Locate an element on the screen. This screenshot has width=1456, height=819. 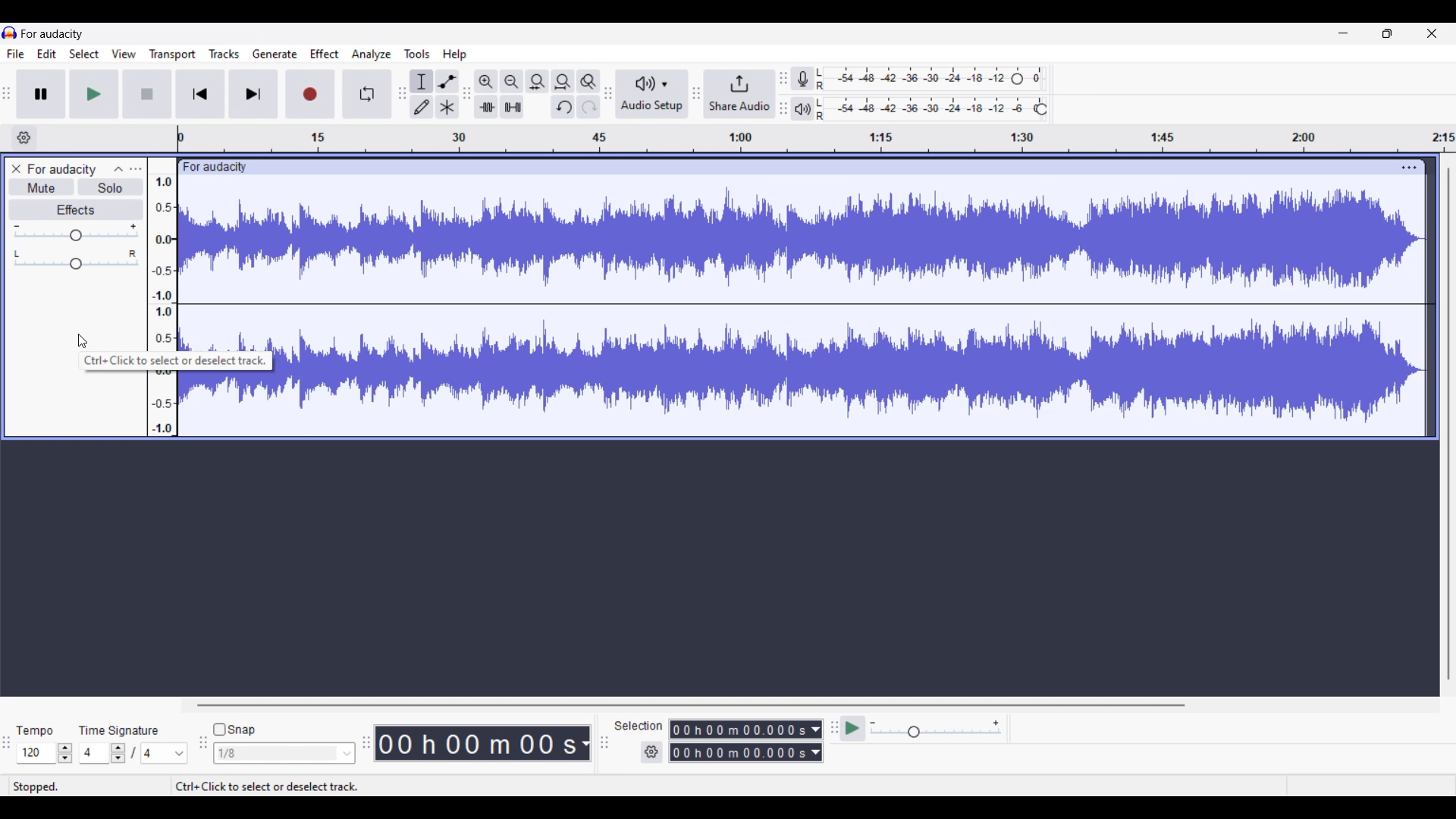
Open menu is located at coordinates (136, 169).